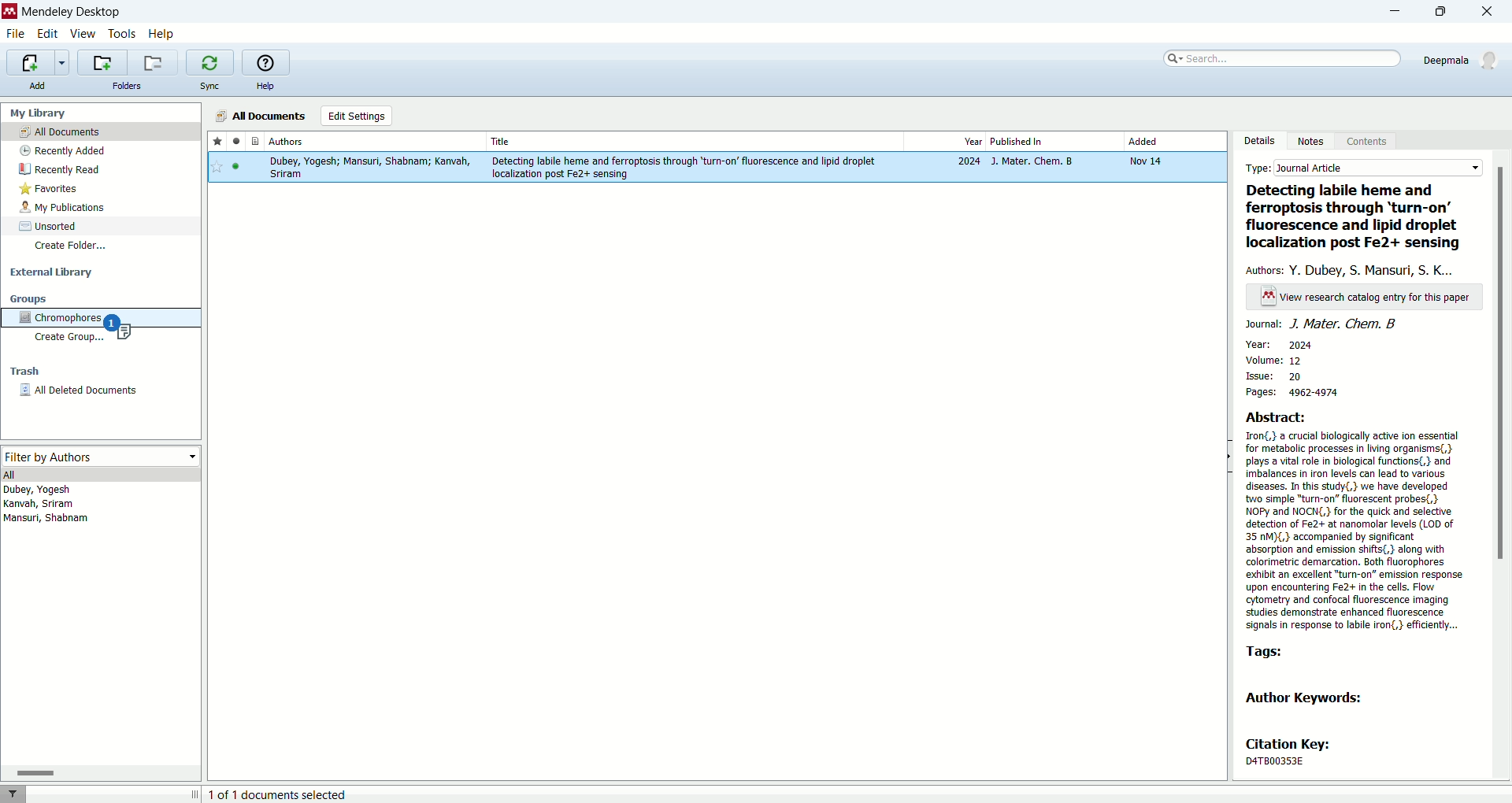 The width and height of the screenshot is (1512, 803). Describe the element at coordinates (1264, 652) in the screenshot. I see `tags` at that location.